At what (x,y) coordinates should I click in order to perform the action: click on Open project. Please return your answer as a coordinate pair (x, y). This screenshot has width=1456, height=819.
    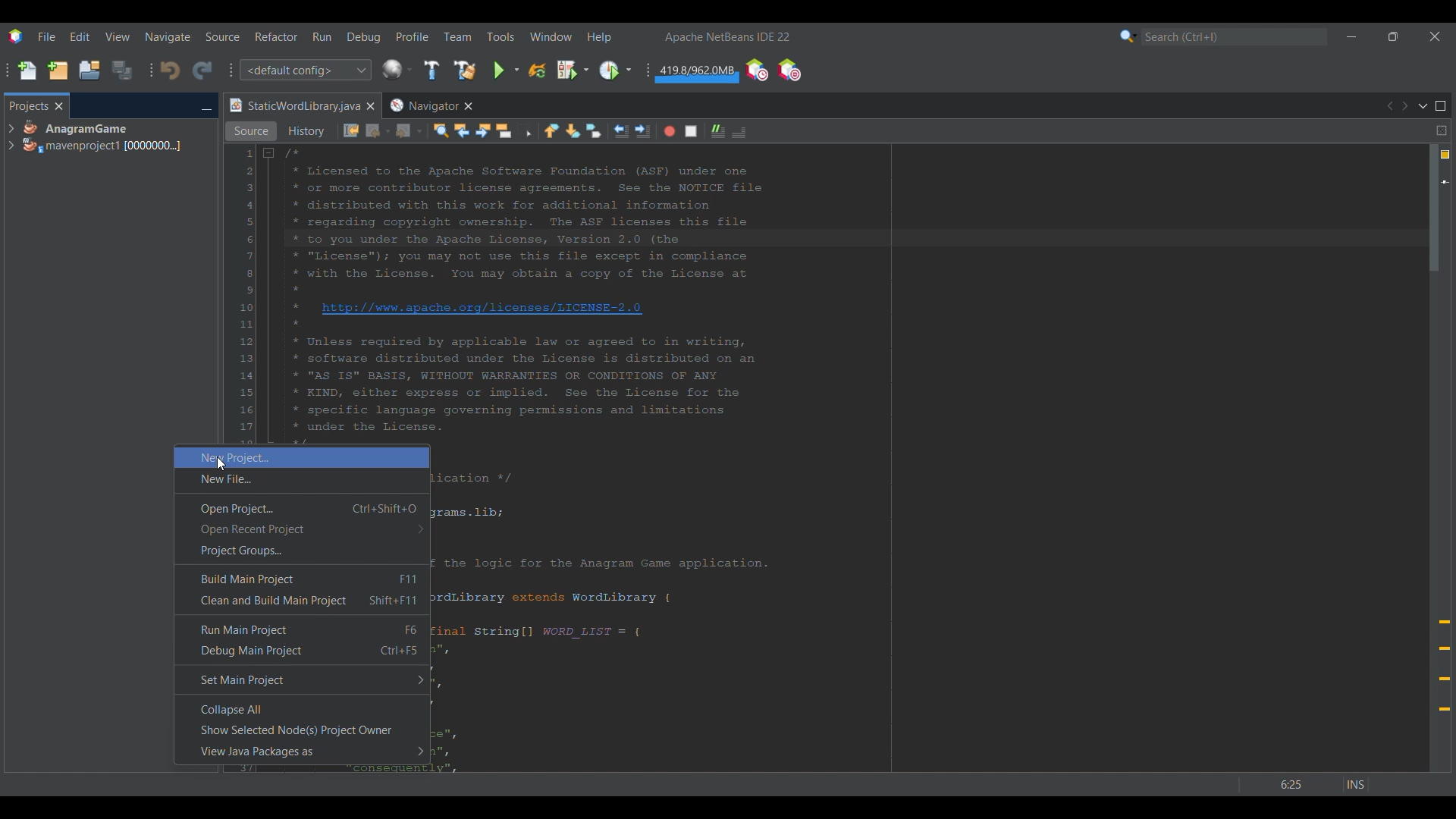
    Looking at the image, I should click on (89, 70).